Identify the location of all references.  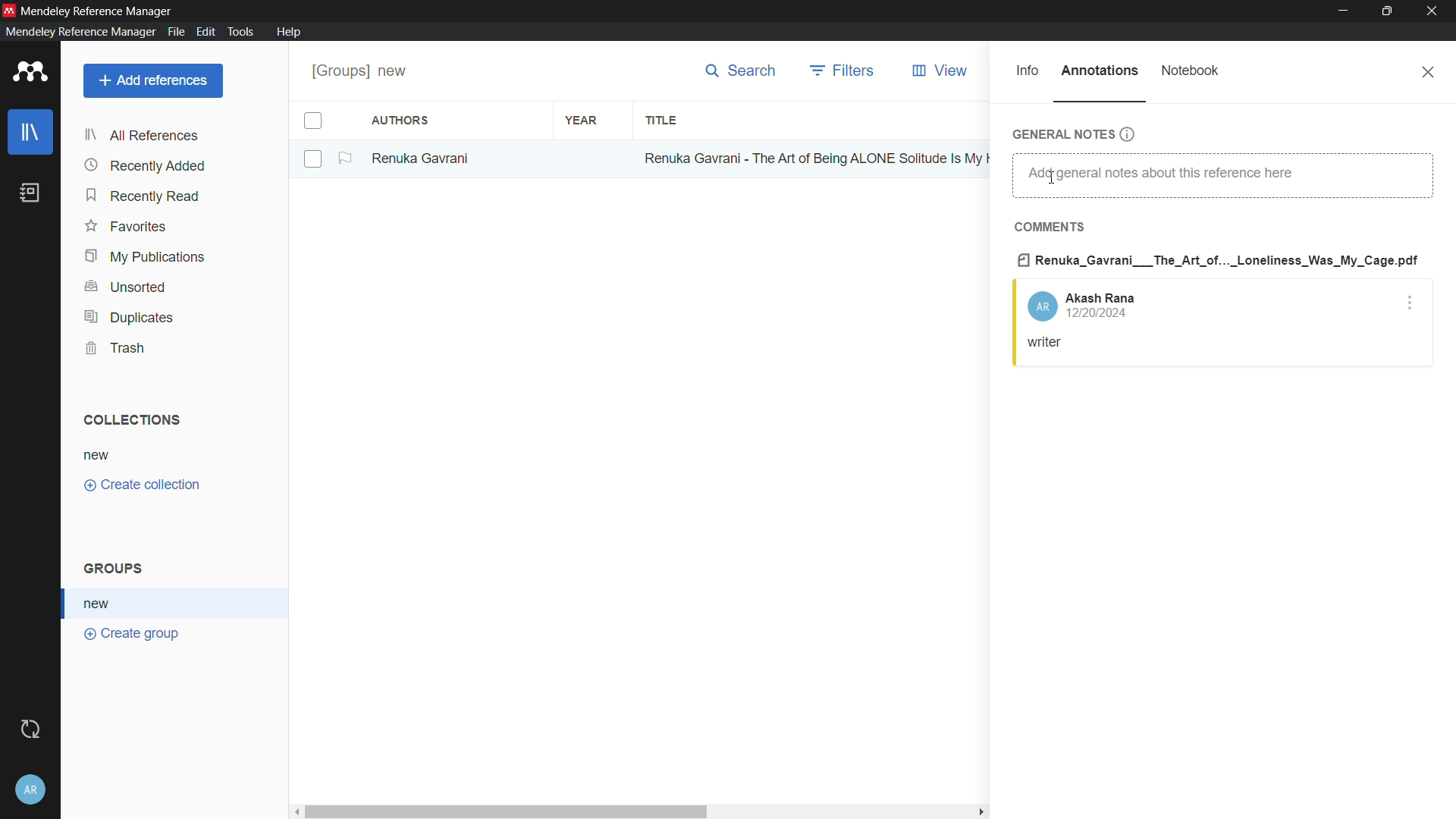
(141, 137).